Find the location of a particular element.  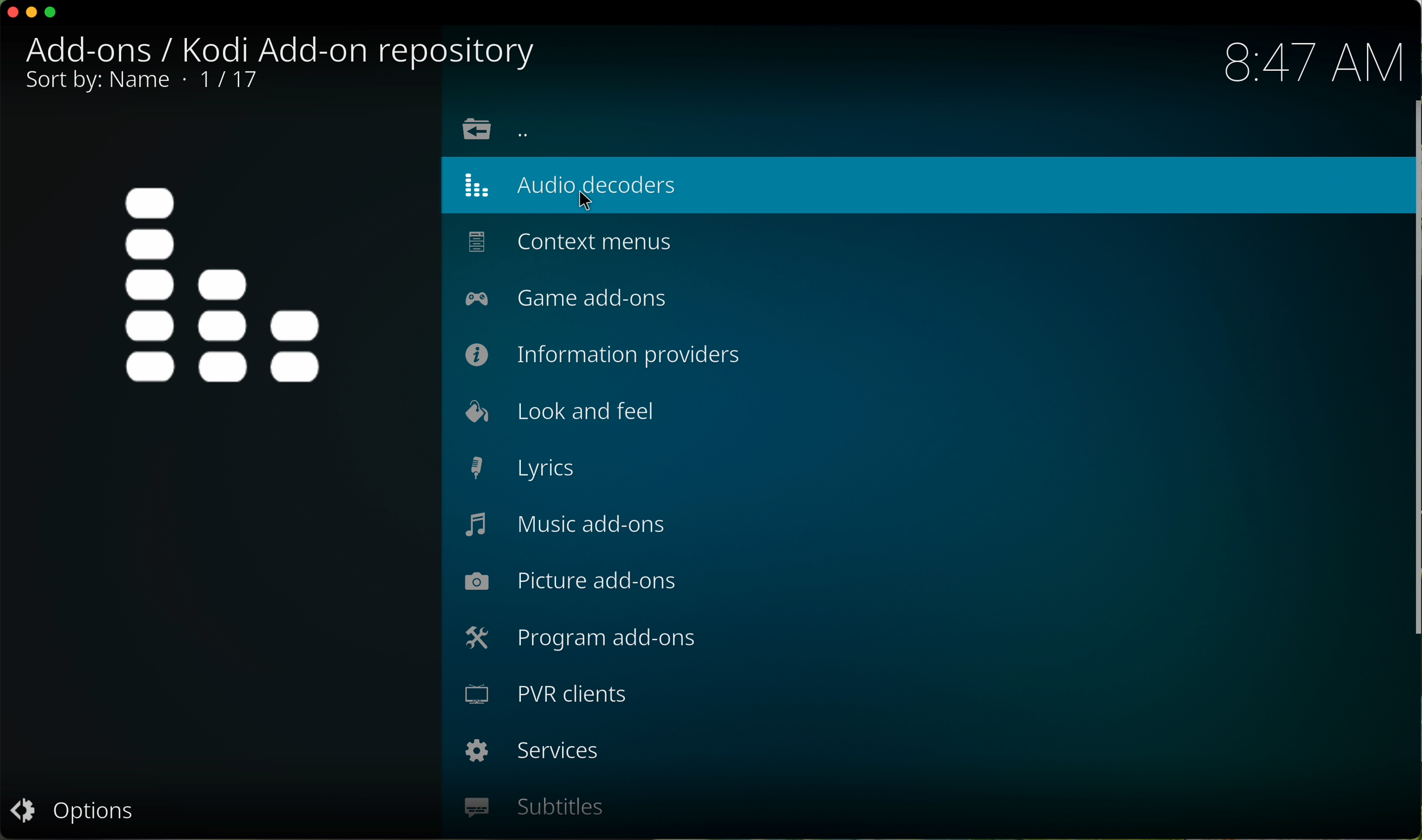

subtitles is located at coordinates (535, 807).